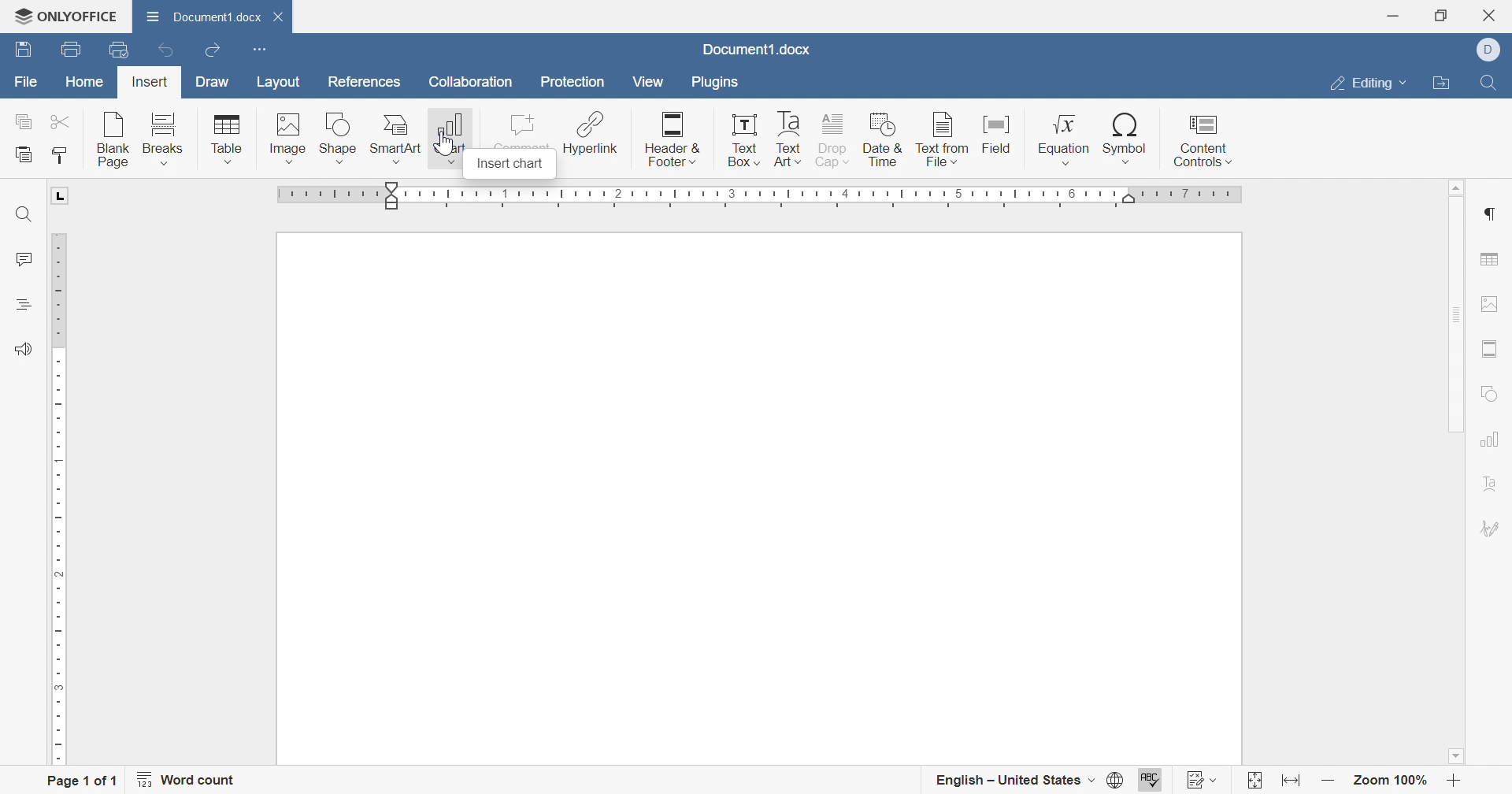 This screenshot has width=1512, height=794. What do you see at coordinates (1455, 779) in the screenshot?
I see `Zoom In` at bounding box center [1455, 779].